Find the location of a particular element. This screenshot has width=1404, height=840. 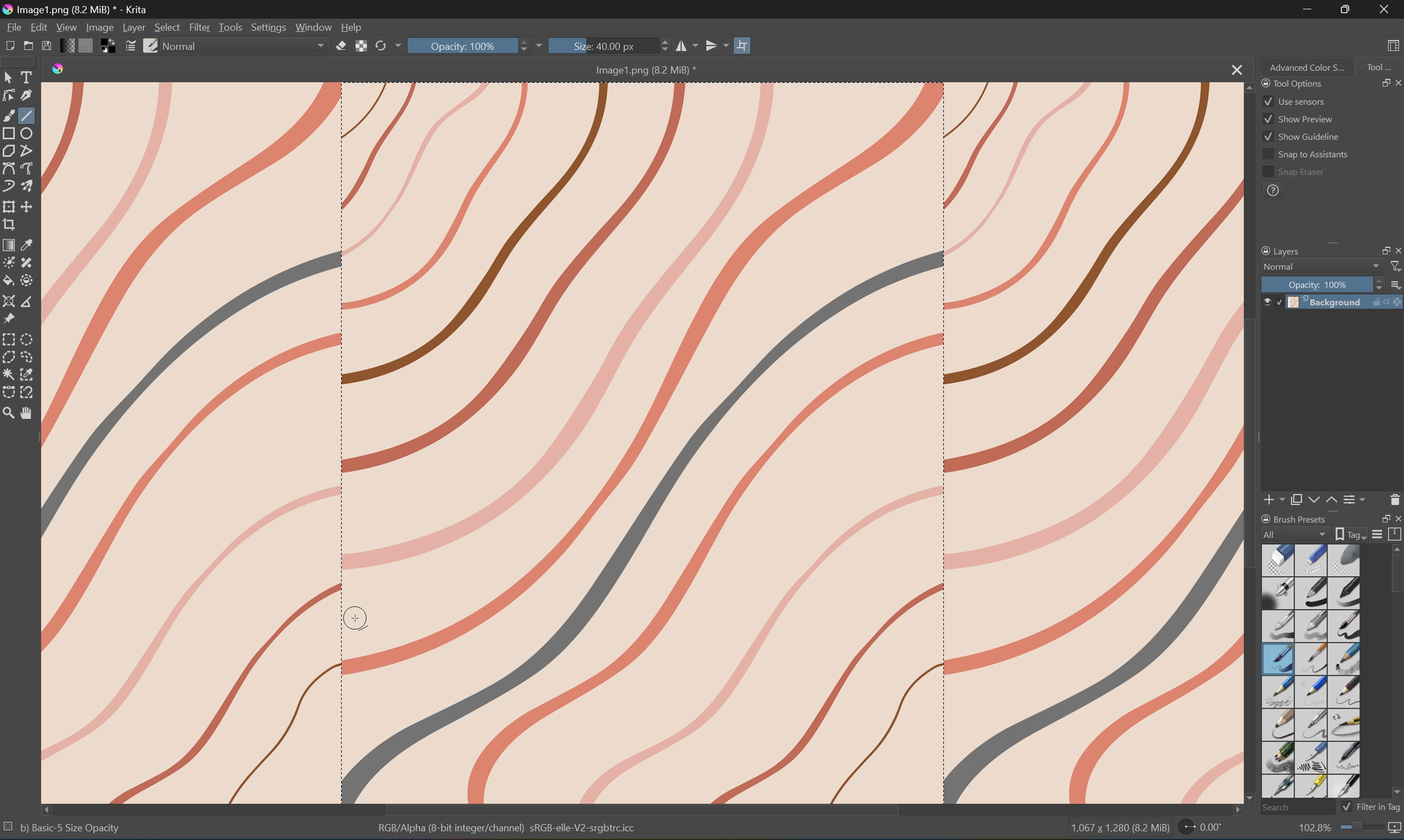

0.00° is located at coordinates (1200, 829).